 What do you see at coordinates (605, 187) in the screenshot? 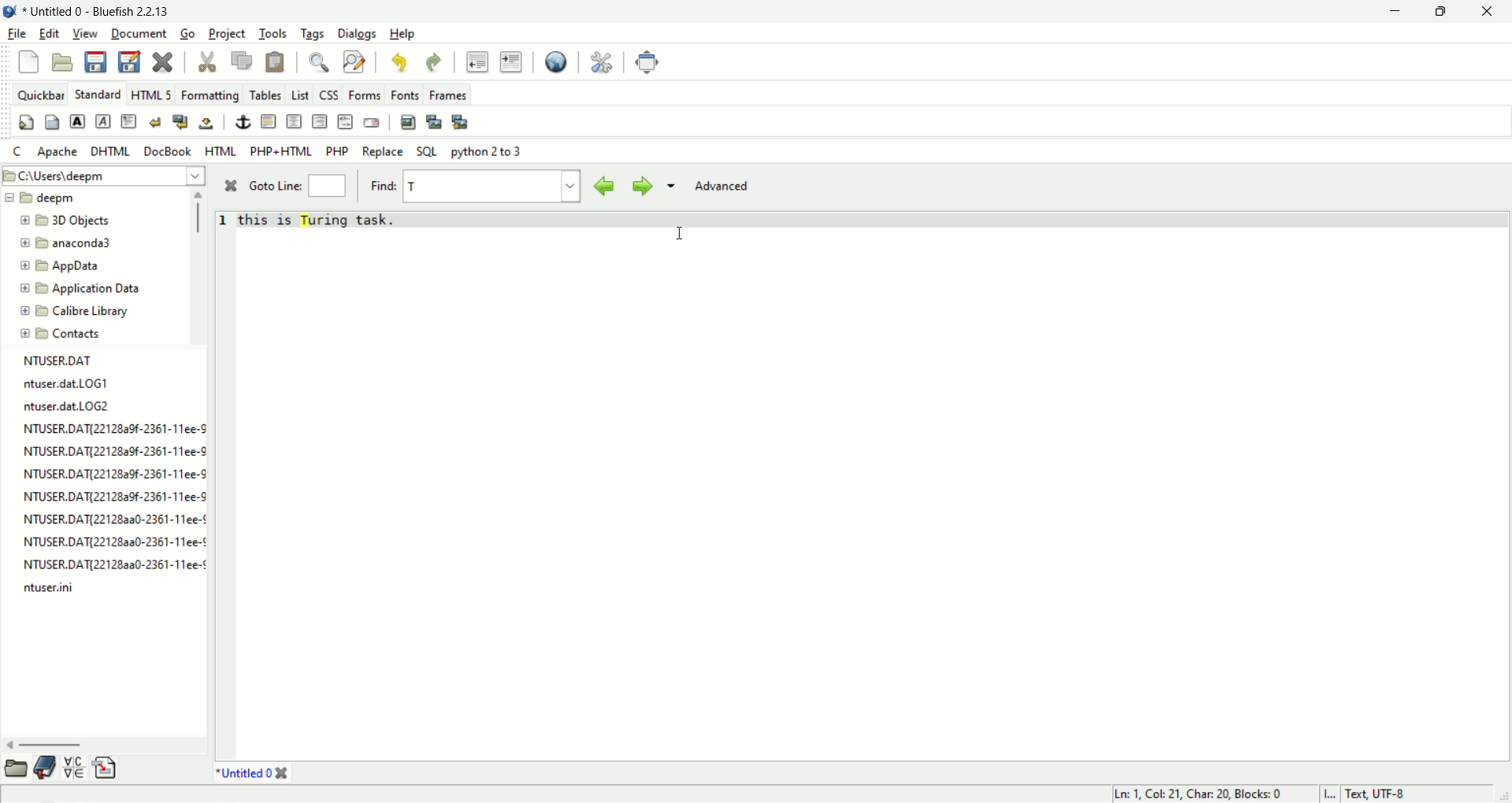
I see `find previous` at bounding box center [605, 187].